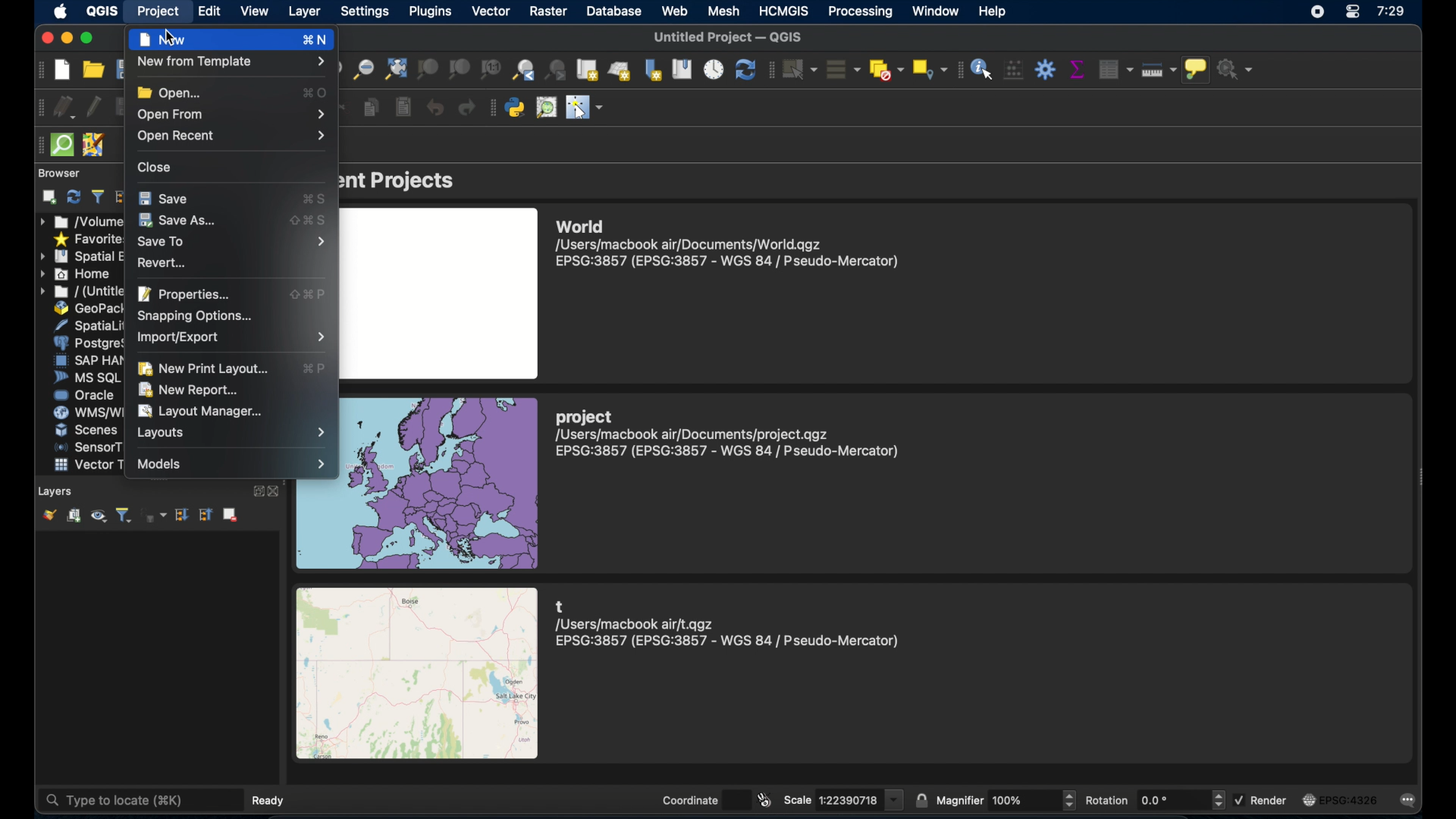 This screenshot has width=1456, height=819. What do you see at coordinates (895, 799) in the screenshot?
I see `scale value dropdown` at bounding box center [895, 799].